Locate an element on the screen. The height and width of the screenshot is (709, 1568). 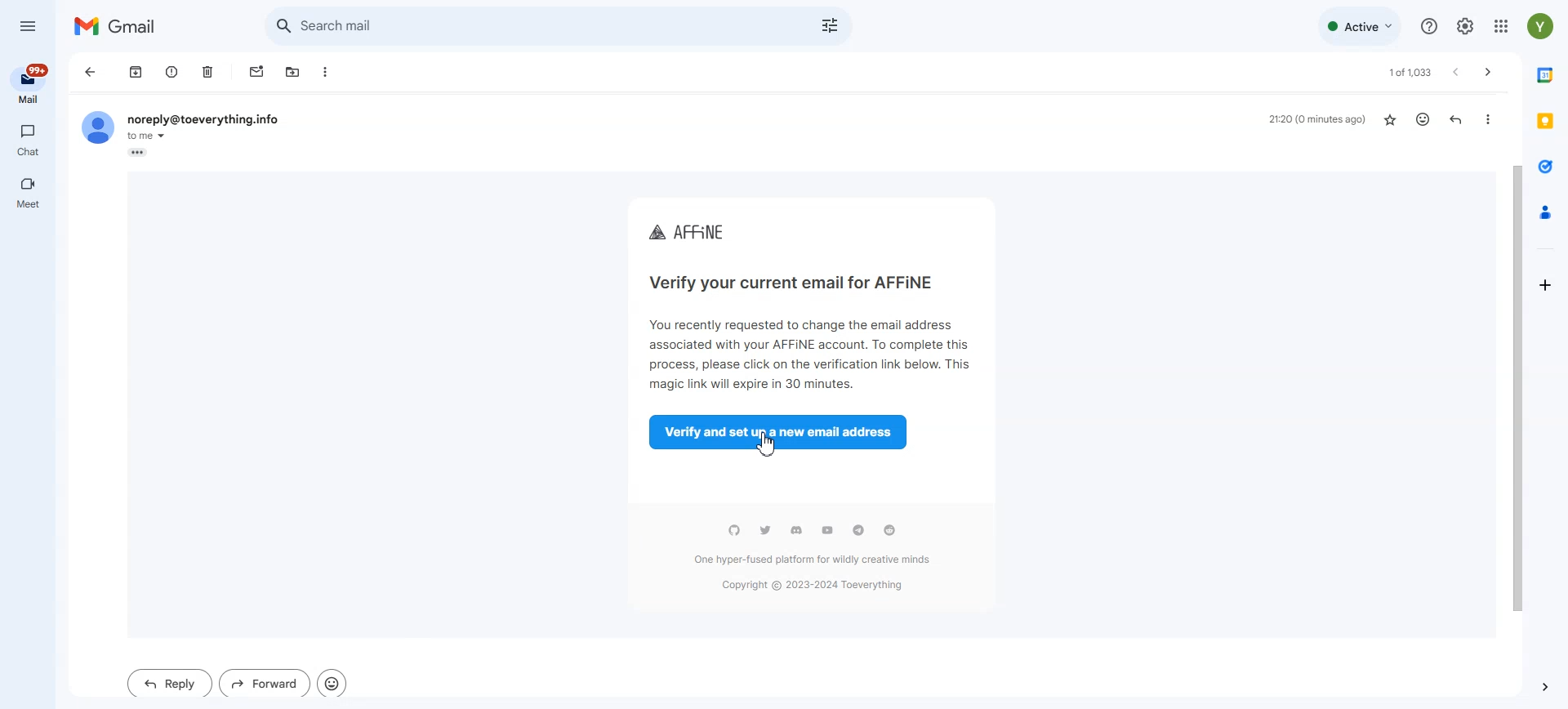
reddit is located at coordinates (889, 530).